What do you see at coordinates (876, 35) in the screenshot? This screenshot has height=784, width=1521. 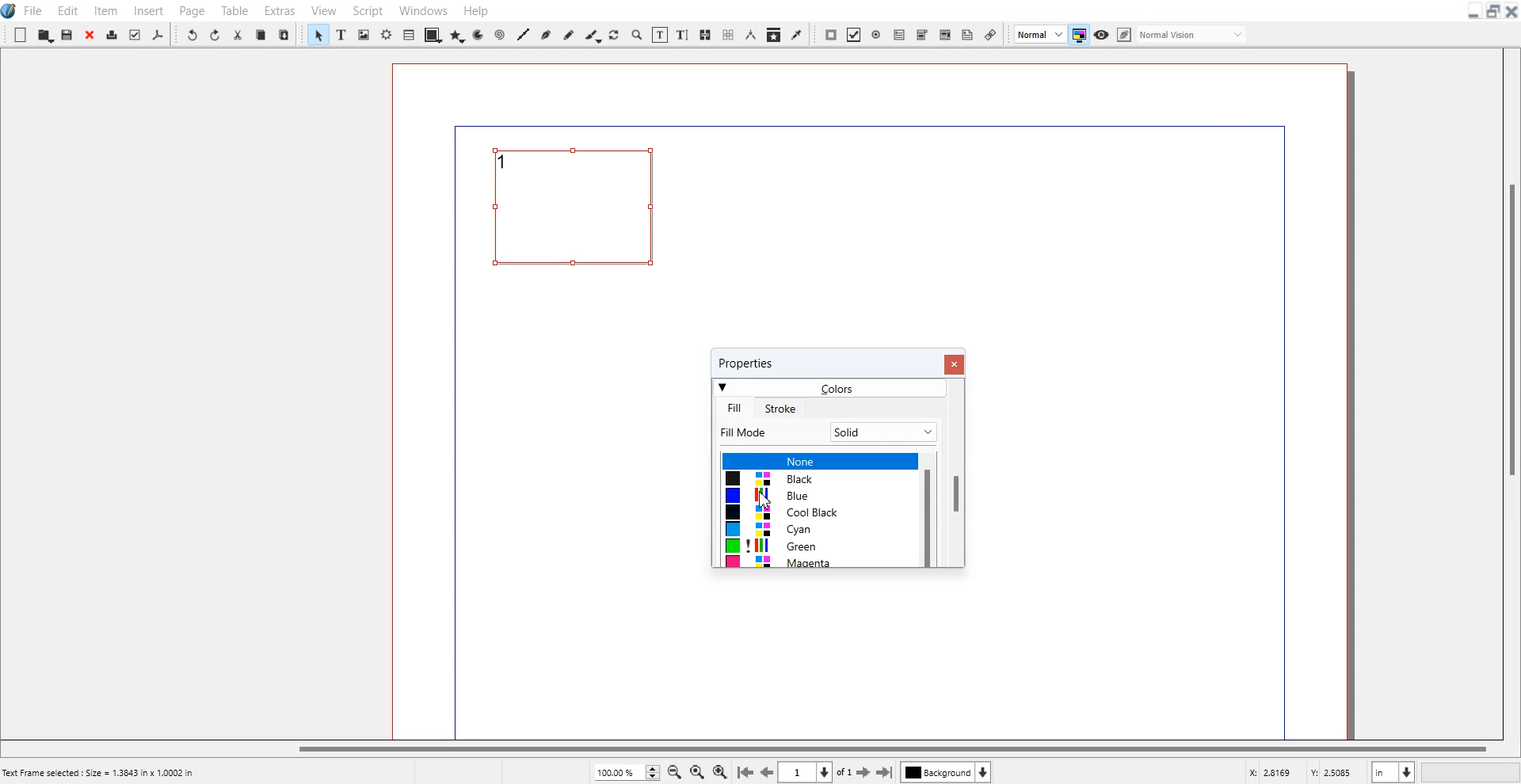 I see `PDF Radio Button` at bounding box center [876, 35].